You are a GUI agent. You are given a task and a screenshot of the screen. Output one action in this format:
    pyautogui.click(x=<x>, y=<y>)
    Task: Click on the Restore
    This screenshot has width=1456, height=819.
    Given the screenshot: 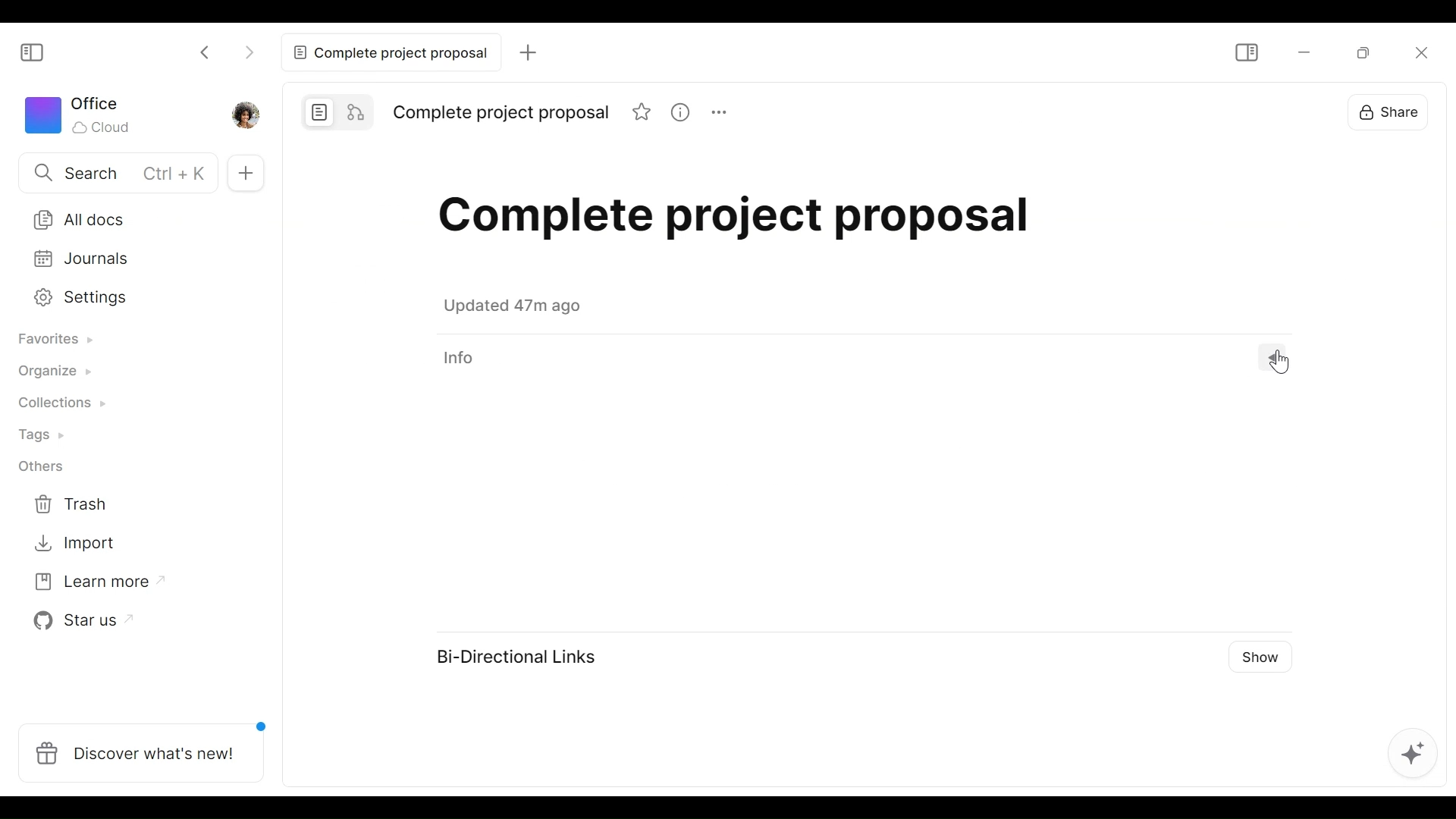 What is the action you would take?
    pyautogui.click(x=1367, y=52)
    